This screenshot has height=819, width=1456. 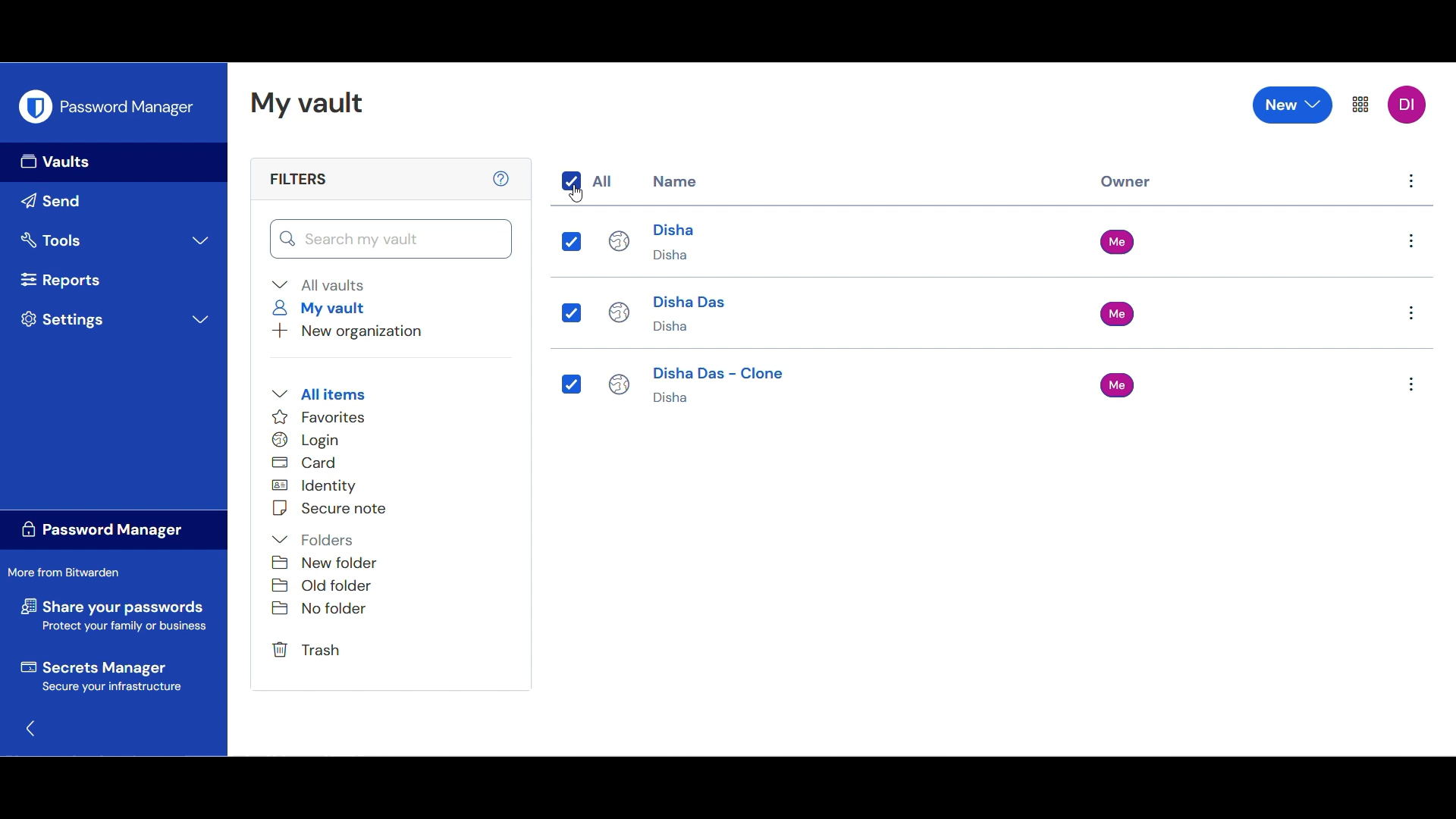 What do you see at coordinates (392, 239) in the screenshot?
I see `Search my vault` at bounding box center [392, 239].